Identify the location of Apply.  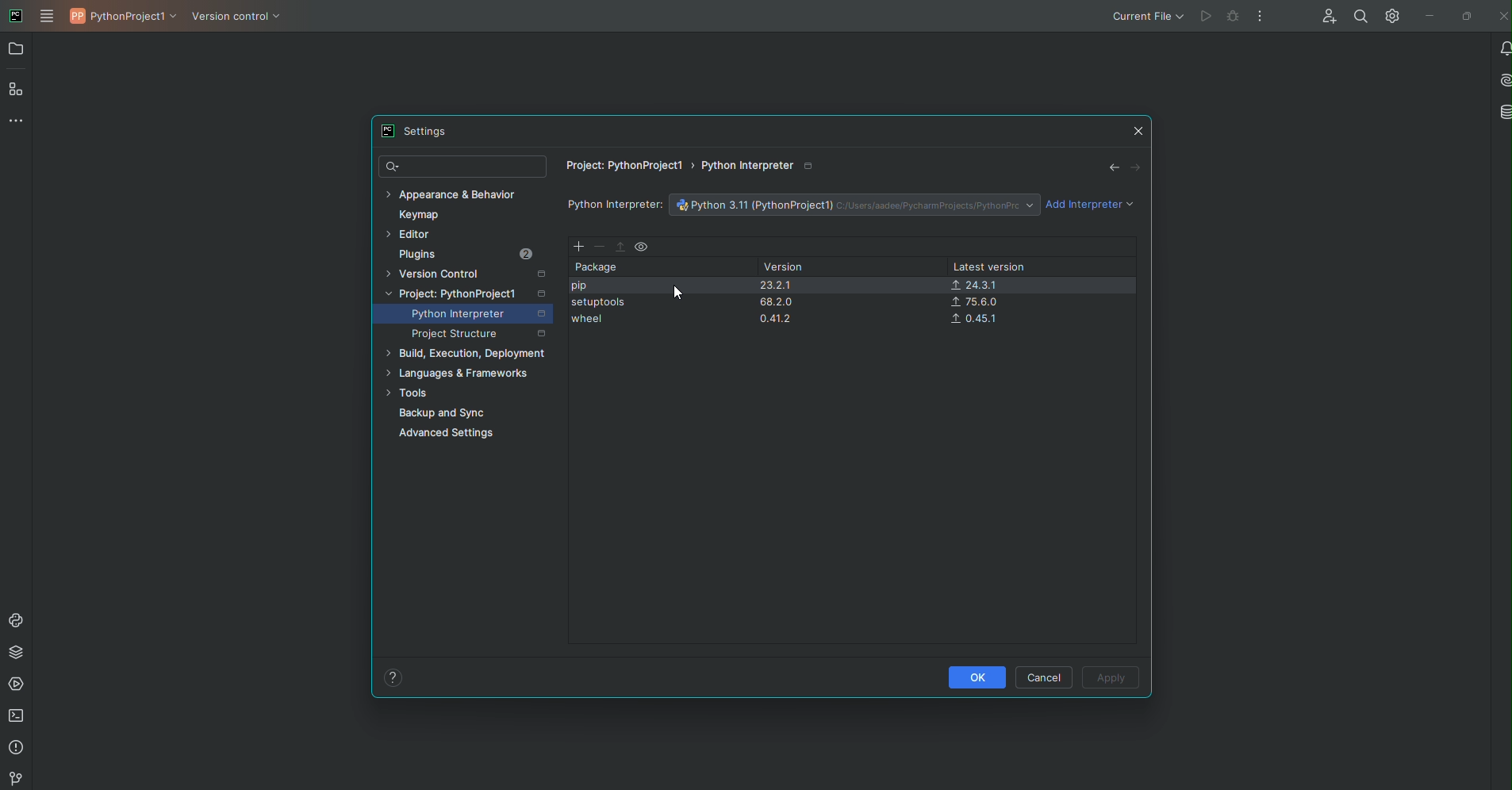
(1111, 679).